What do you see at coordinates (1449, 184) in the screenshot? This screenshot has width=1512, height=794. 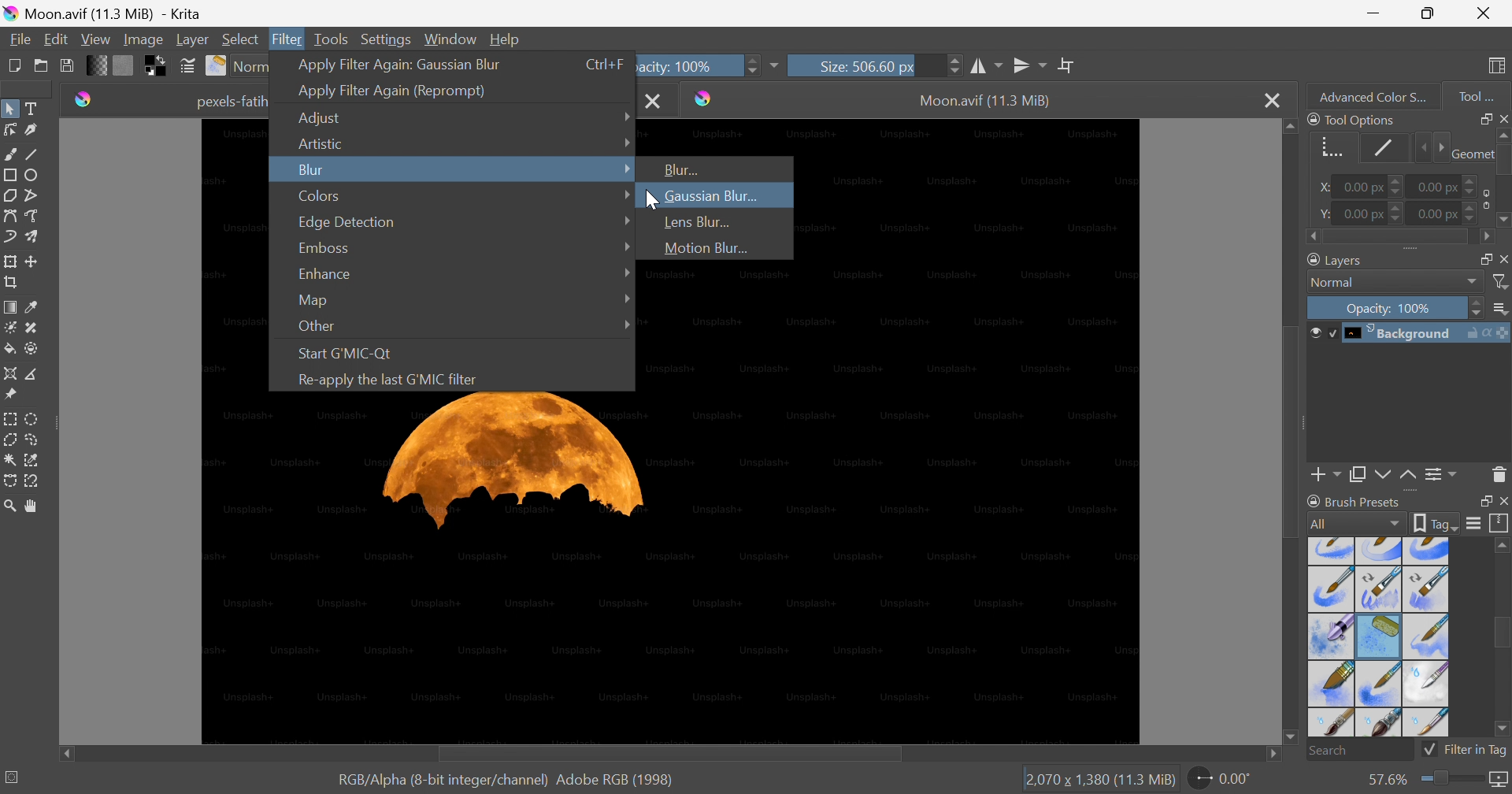 I see `0.00 px` at bounding box center [1449, 184].